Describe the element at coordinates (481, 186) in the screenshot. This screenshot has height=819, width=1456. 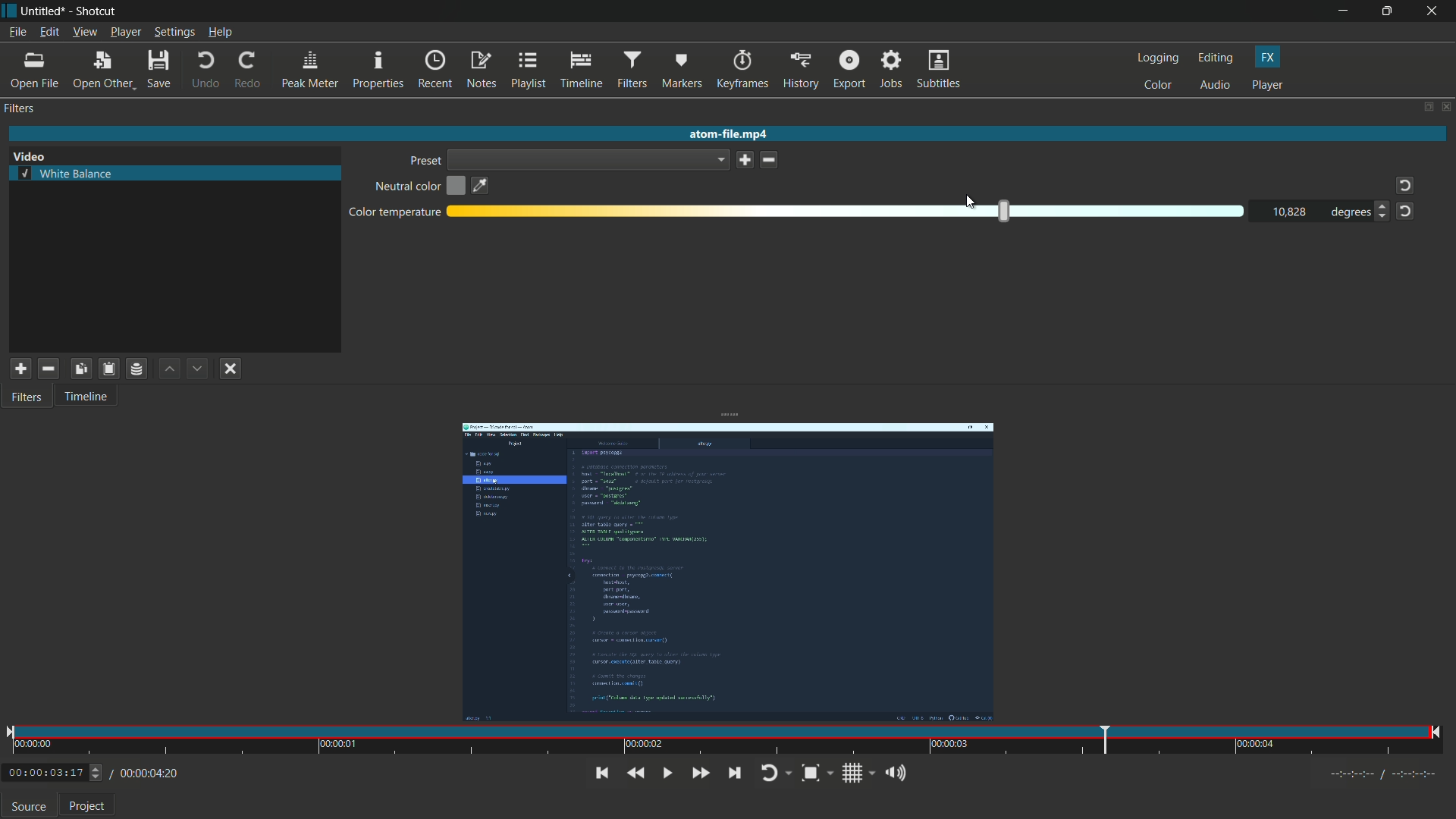
I see `pick color on the screen` at that location.